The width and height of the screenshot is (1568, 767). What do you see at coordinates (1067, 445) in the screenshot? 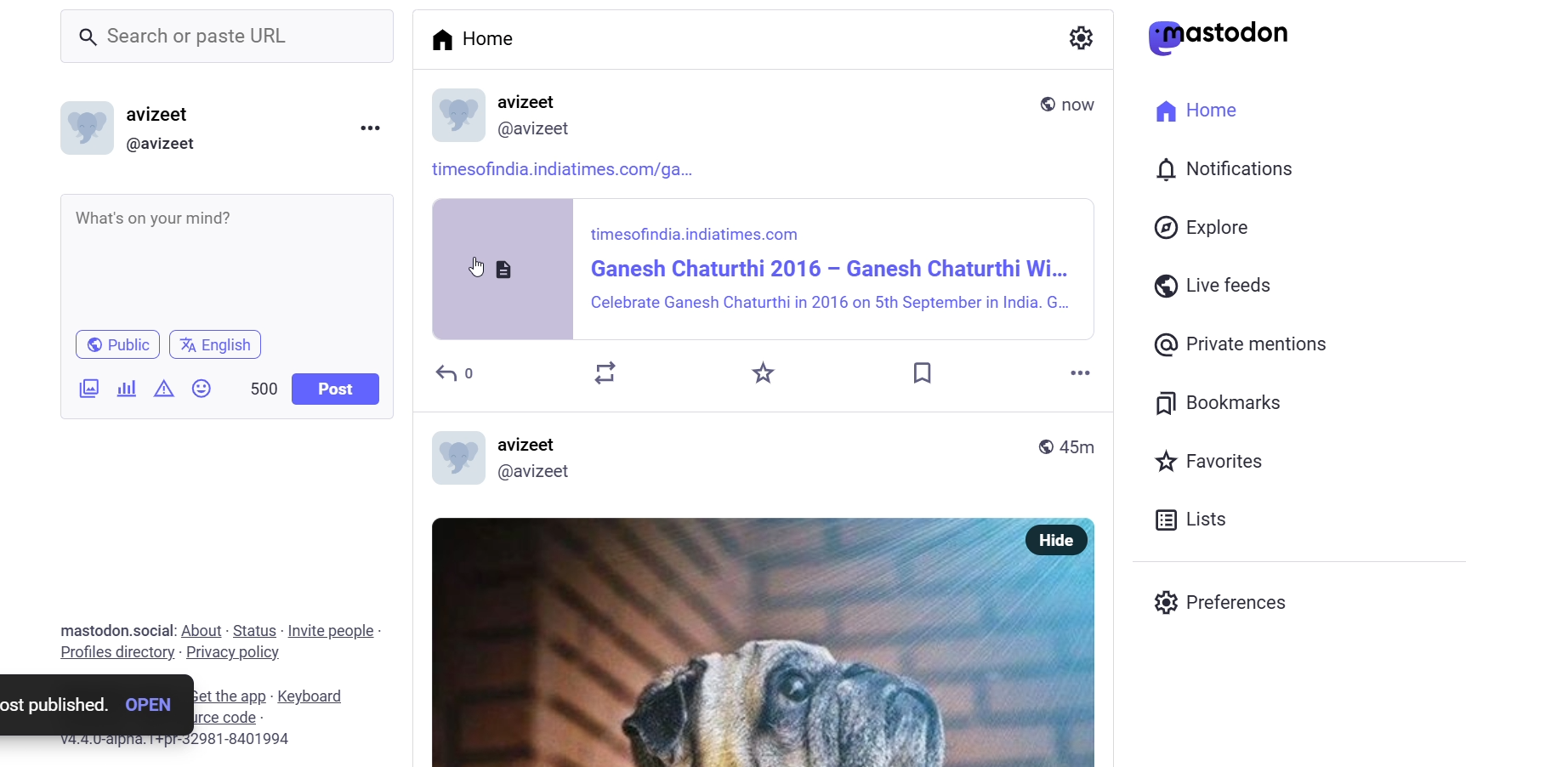
I see ` 45m` at bounding box center [1067, 445].